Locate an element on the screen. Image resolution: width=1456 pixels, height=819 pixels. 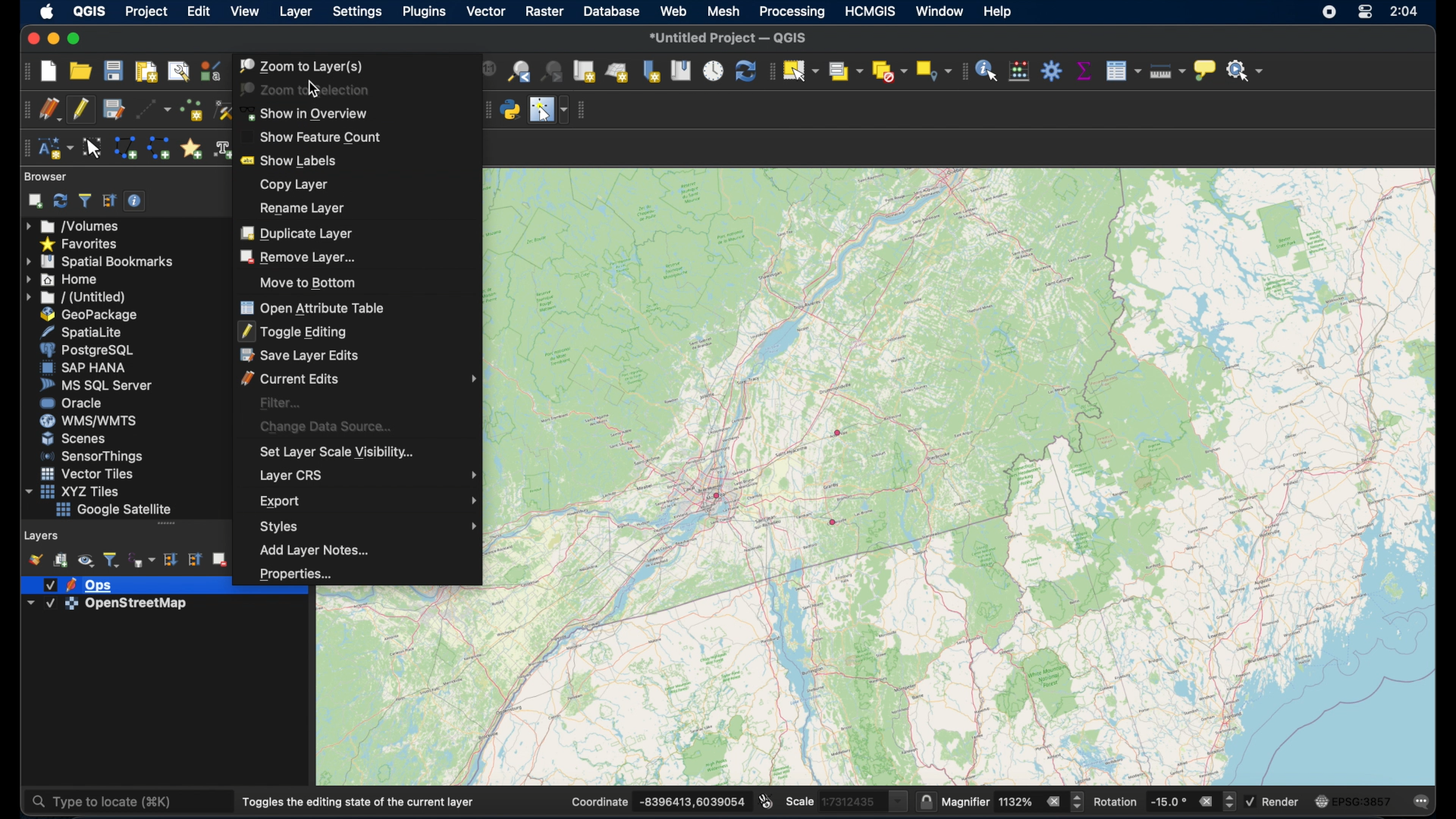
select features by area or single click is located at coordinates (799, 69).